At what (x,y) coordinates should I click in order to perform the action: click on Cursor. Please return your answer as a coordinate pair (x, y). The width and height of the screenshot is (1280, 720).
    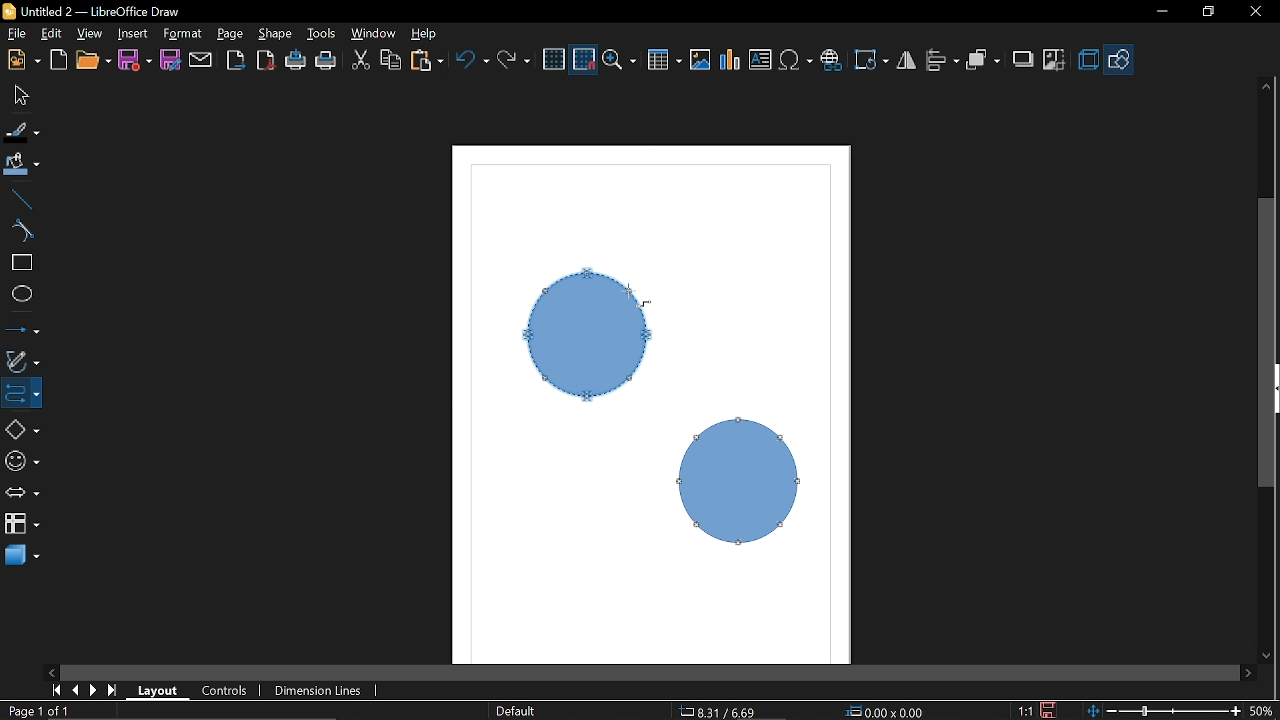
    Looking at the image, I should click on (636, 297).